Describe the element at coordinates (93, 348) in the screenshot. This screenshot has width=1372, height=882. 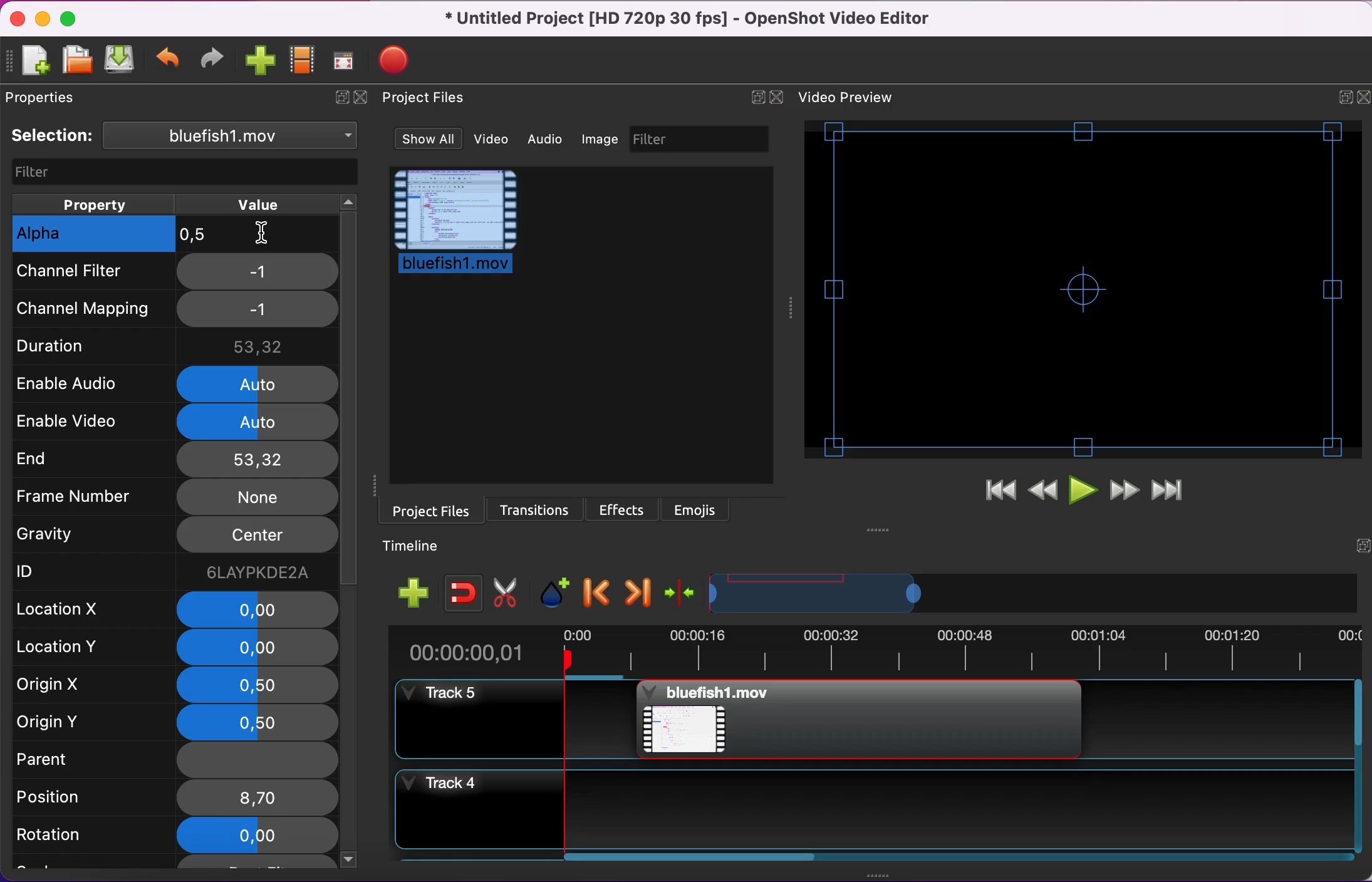
I see `duration` at that location.